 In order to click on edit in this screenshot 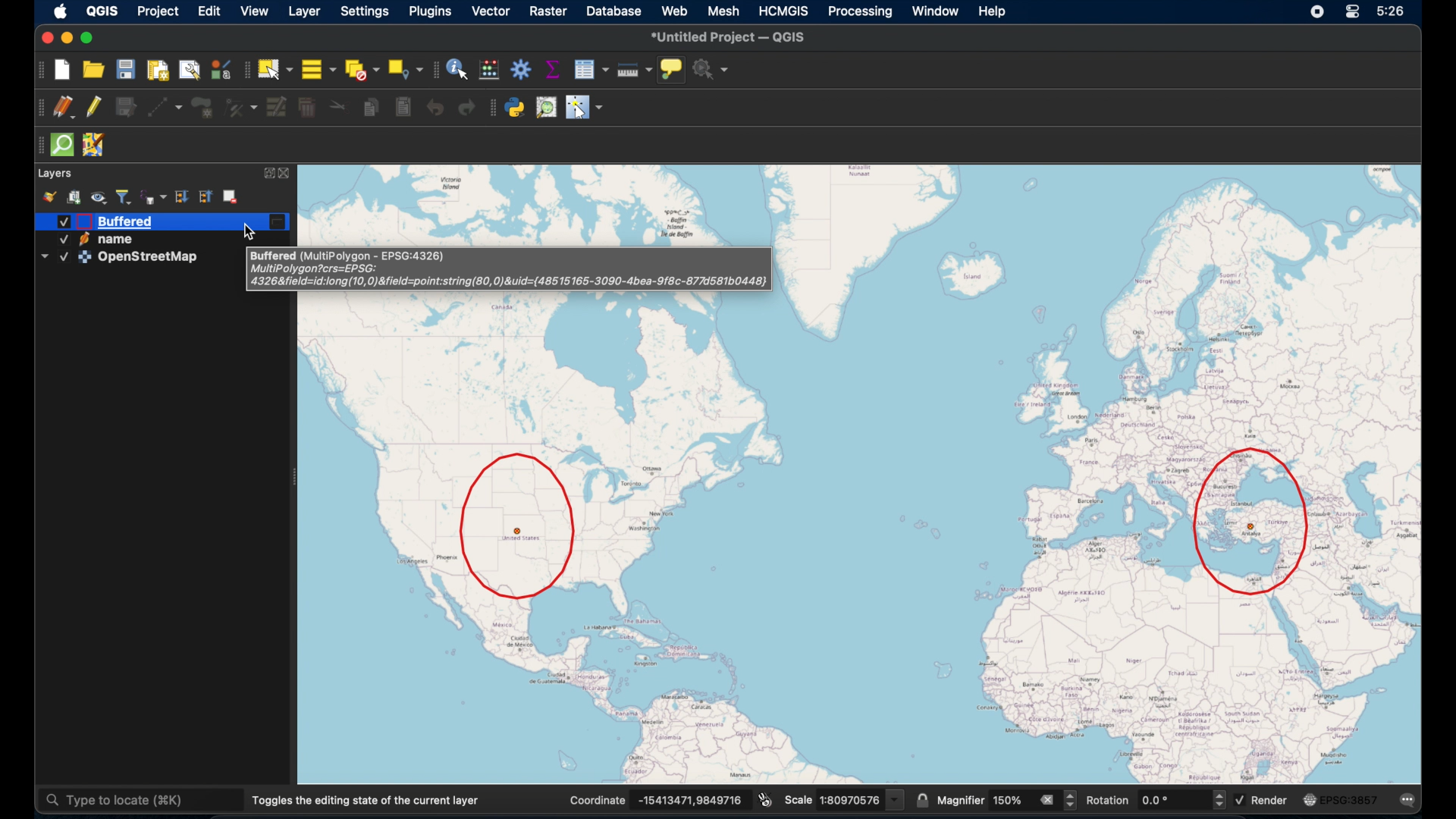, I will do `click(209, 11)`.